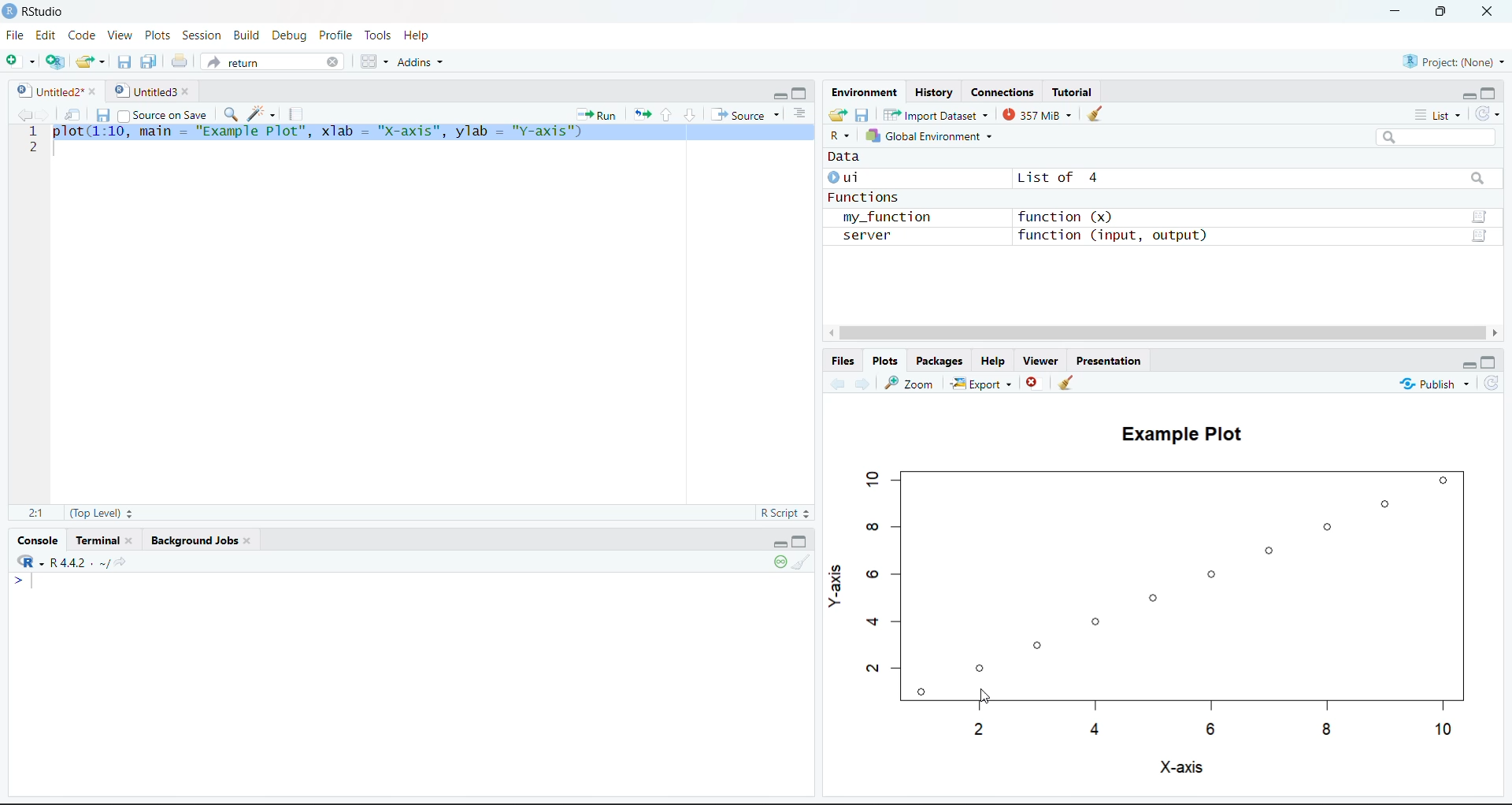 The image size is (1512, 805). What do you see at coordinates (338, 34) in the screenshot?
I see `Profile` at bounding box center [338, 34].